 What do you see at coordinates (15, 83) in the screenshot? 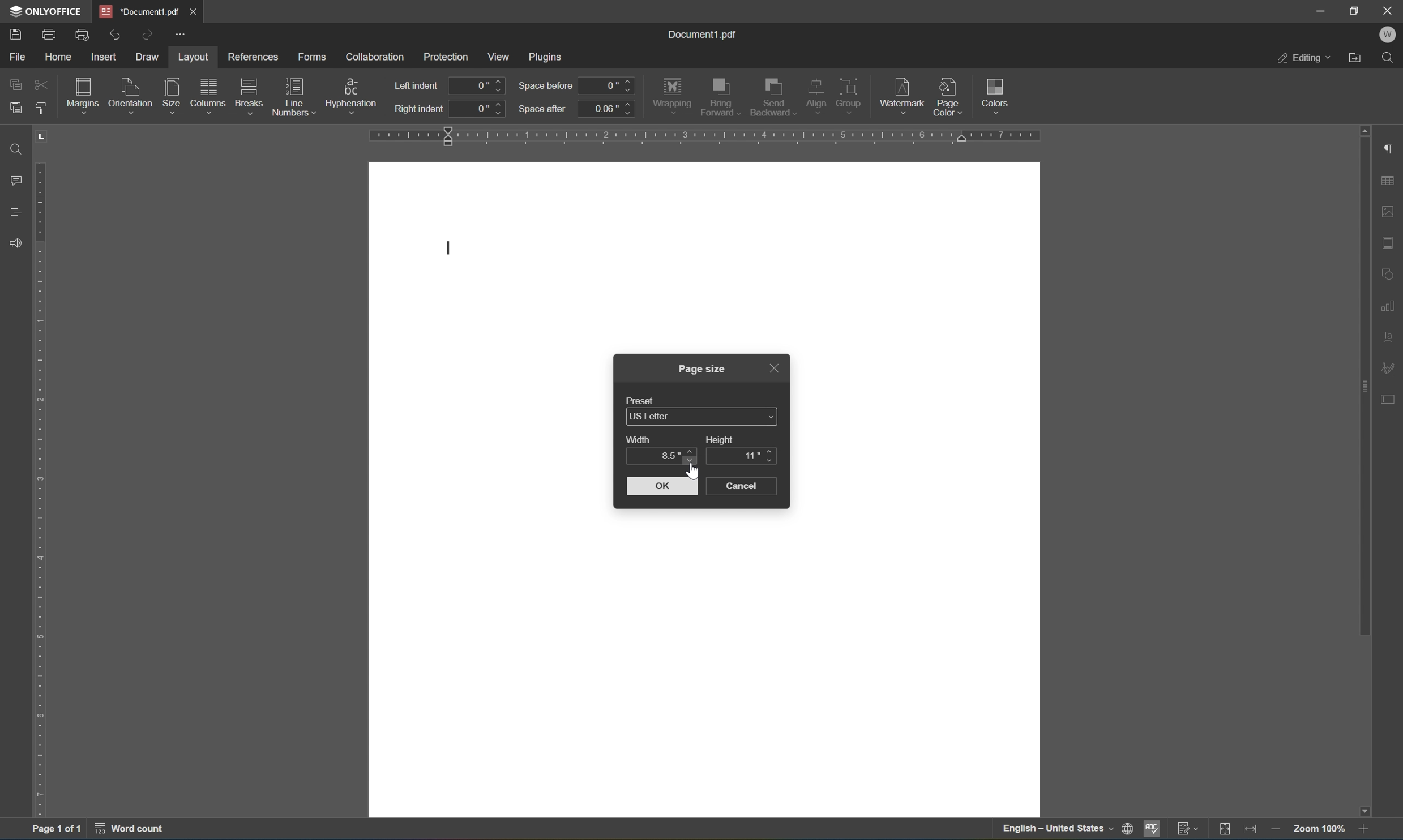
I see `copy` at bounding box center [15, 83].